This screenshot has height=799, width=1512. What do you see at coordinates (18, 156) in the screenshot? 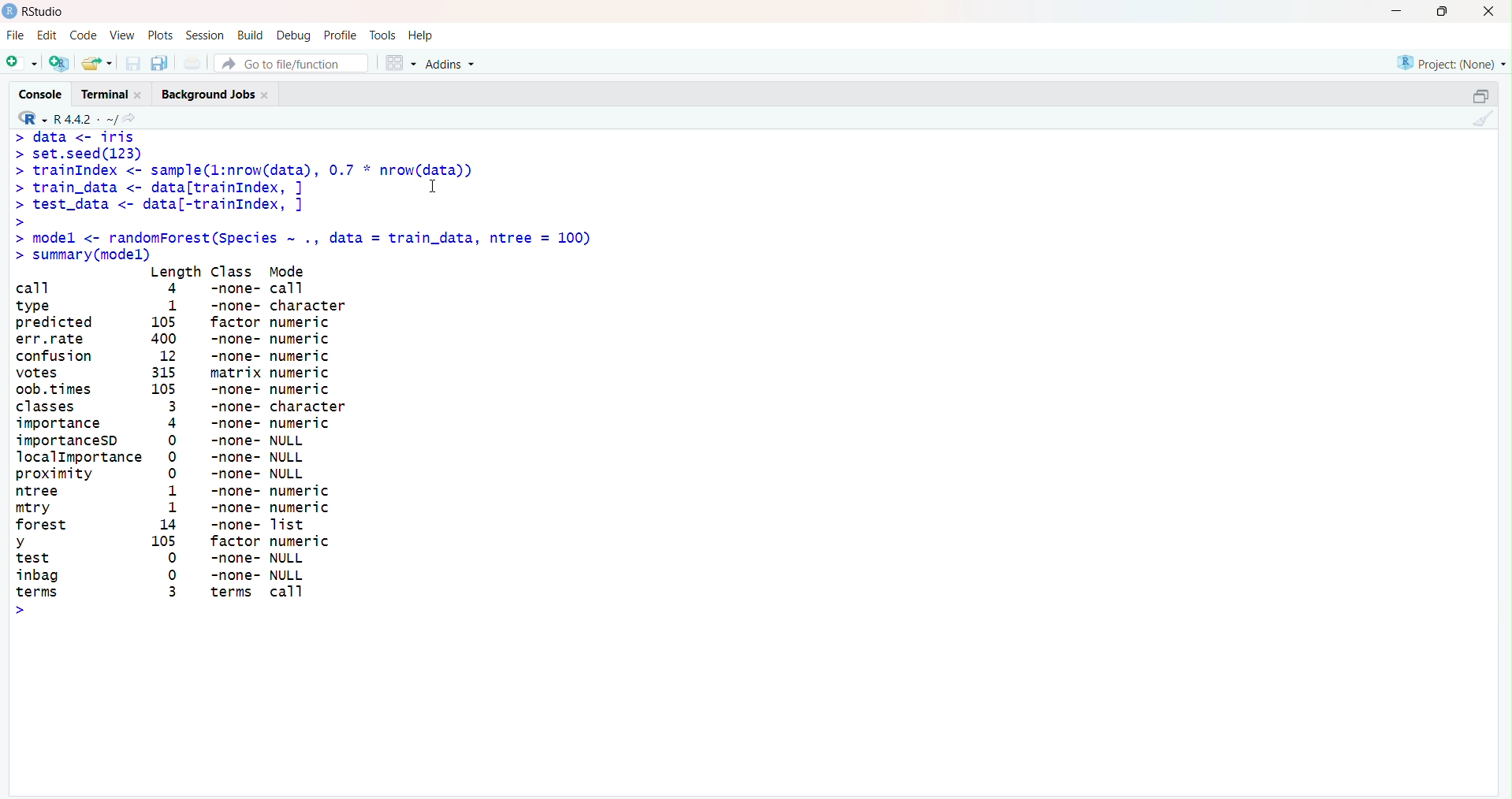
I see `Prompt cursor` at bounding box center [18, 156].